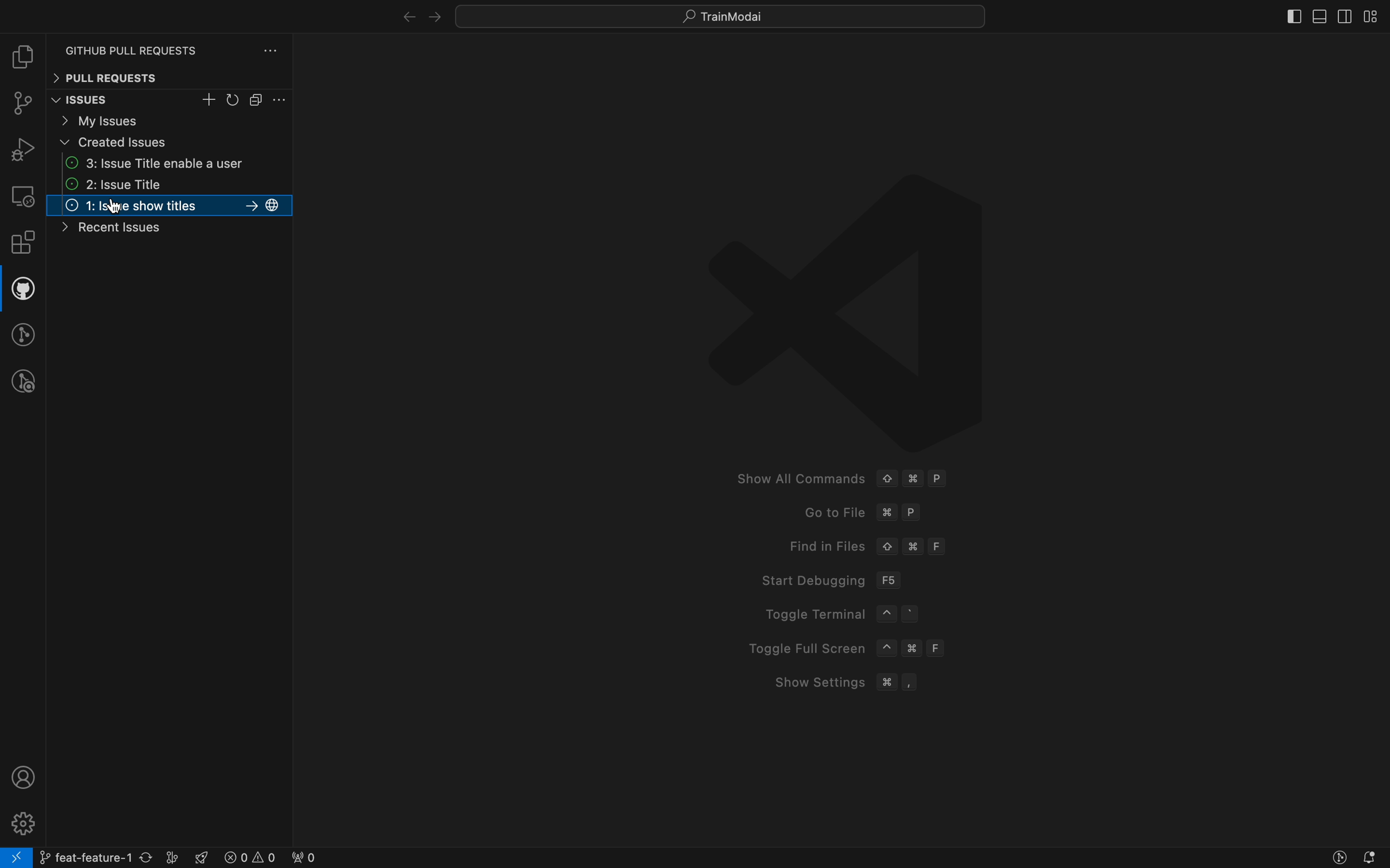 The width and height of the screenshot is (1390, 868). What do you see at coordinates (21, 821) in the screenshot?
I see `settings` at bounding box center [21, 821].